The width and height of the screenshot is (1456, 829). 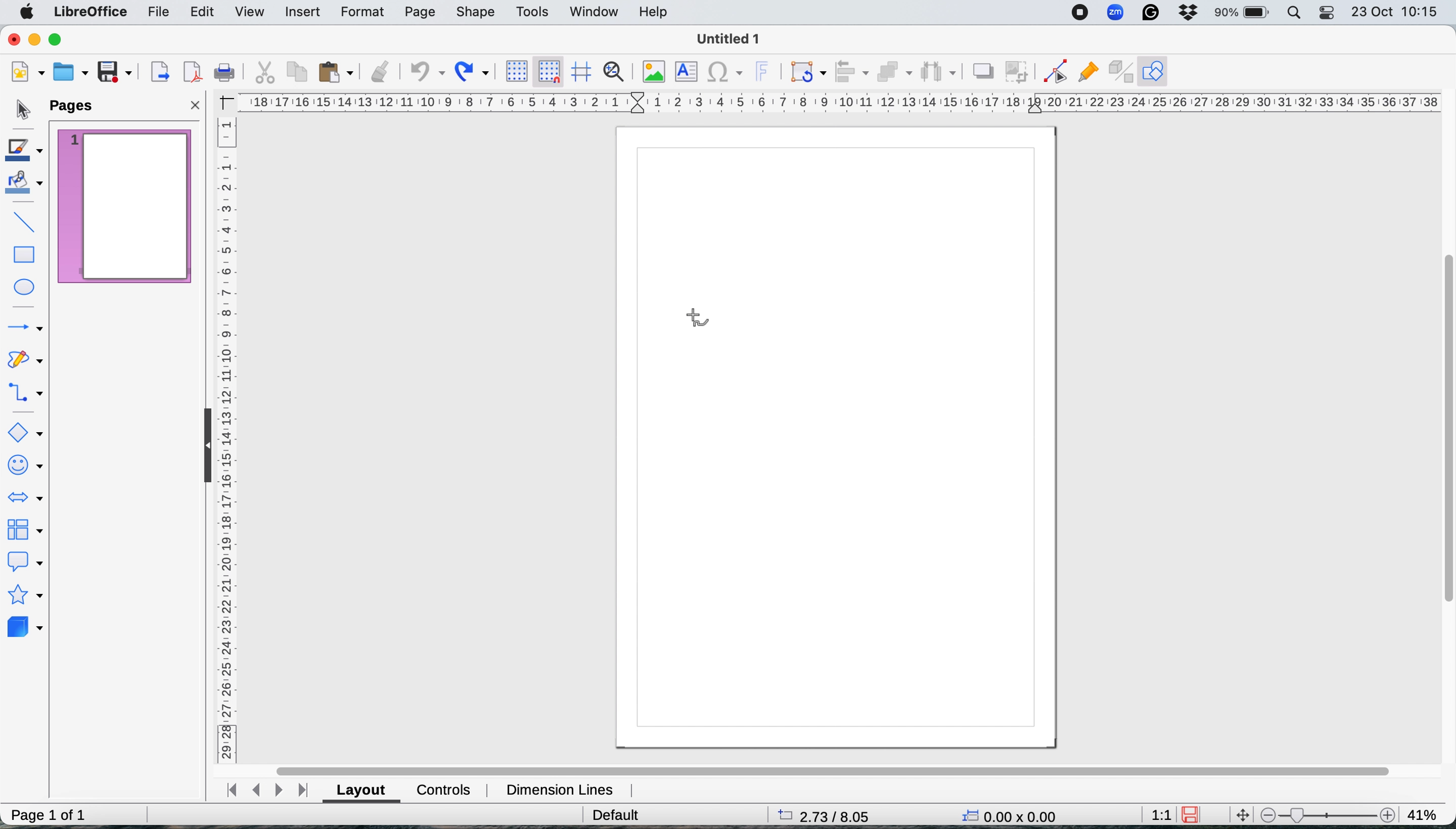 What do you see at coordinates (1328, 16) in the screenshot?
I see `control center` at bounding box center [1328, 16].